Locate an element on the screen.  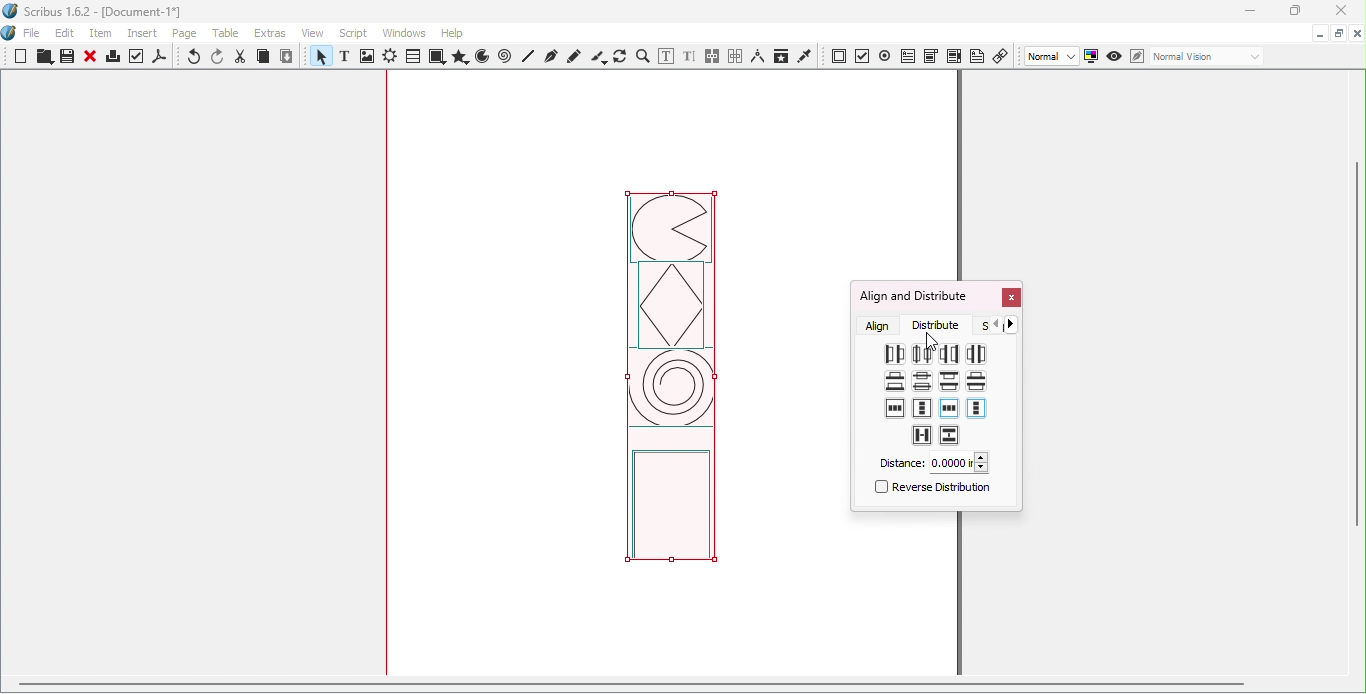
image aligned is located at coordinates (671, 385).